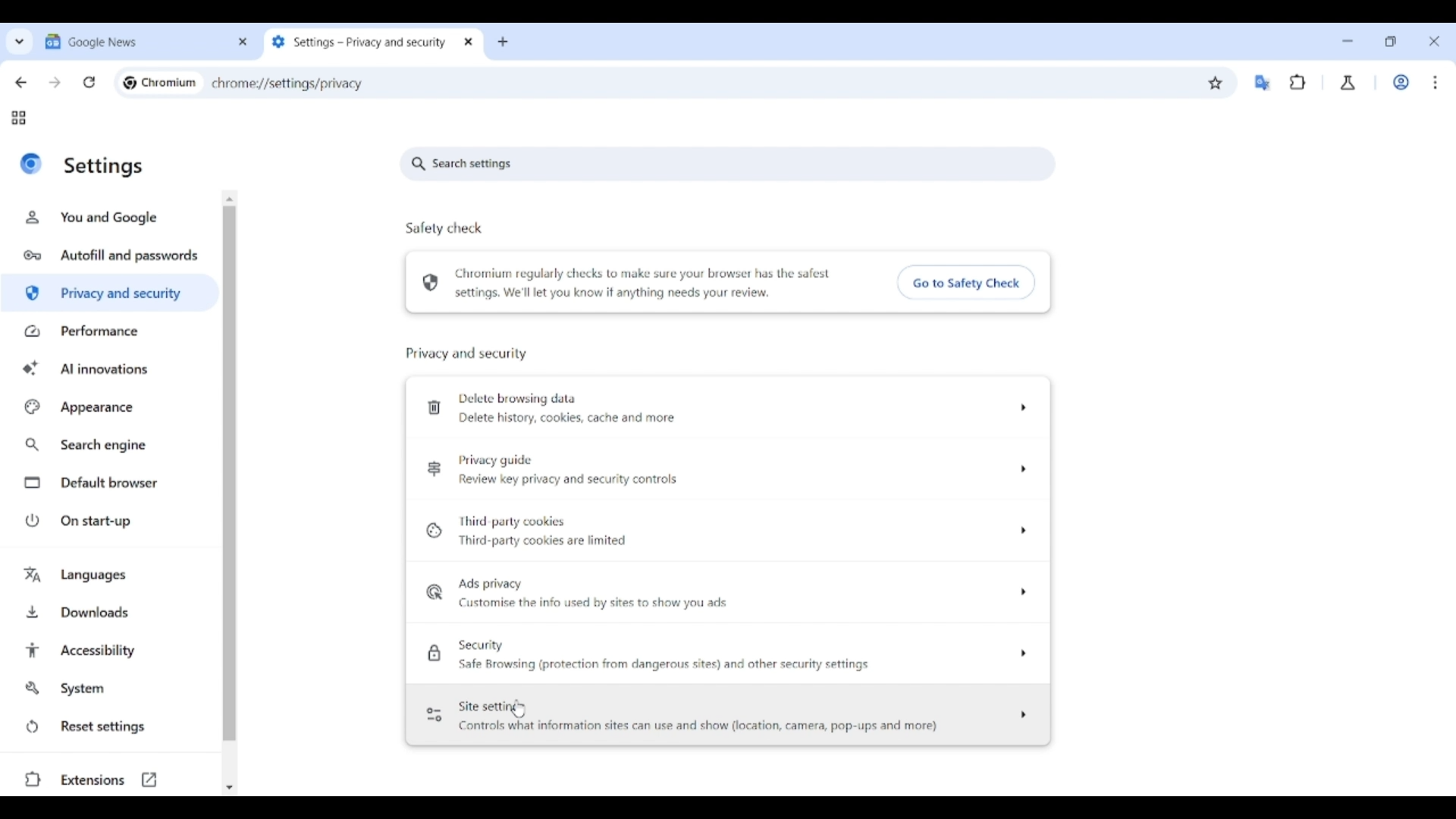 Image resolution: width=1456 pixels, height=819 pixels. I want to click on Privacy guide options , so click(726, 471).